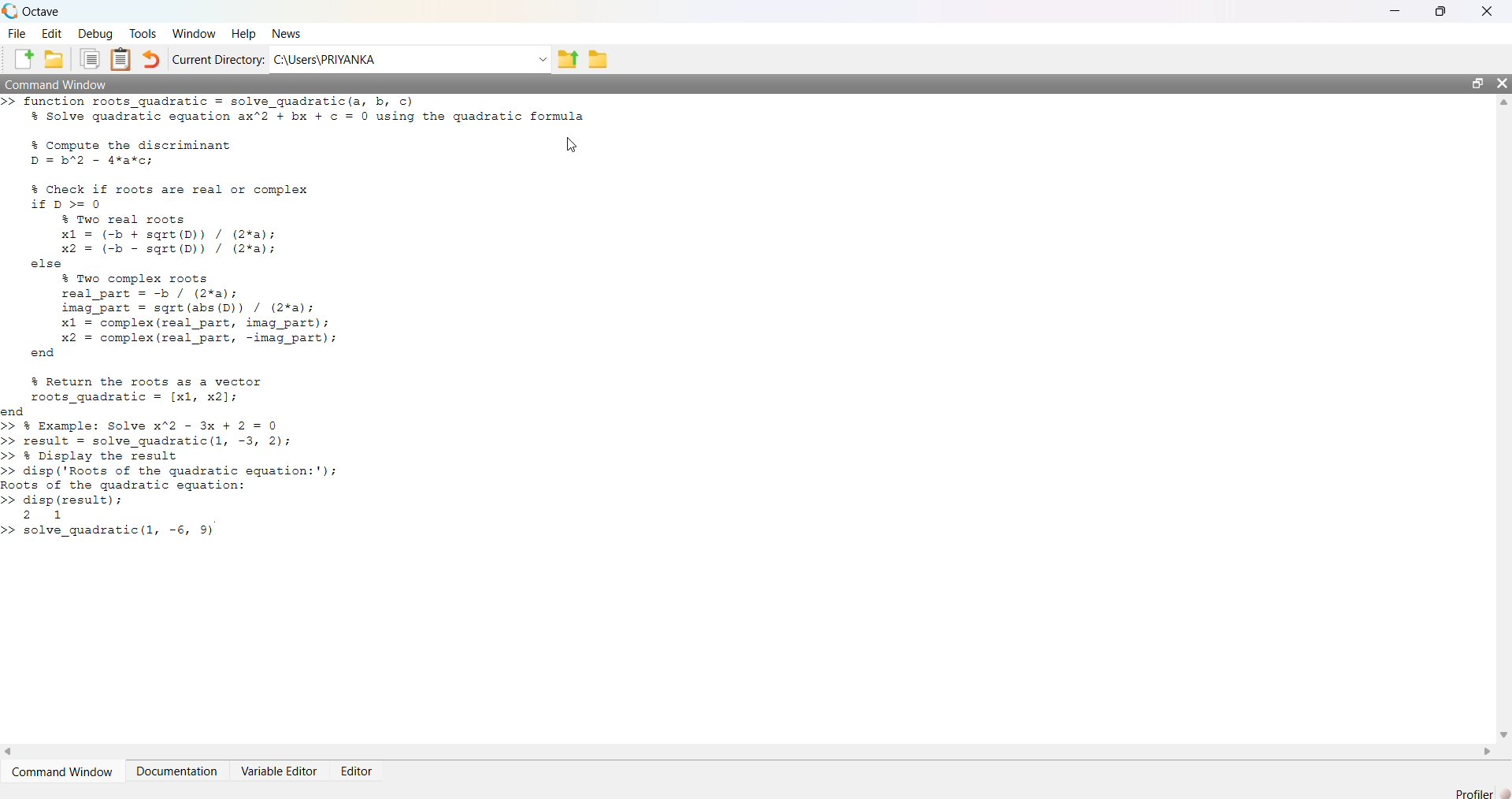 Image resolution: width=1512 pixels, height=799 pixels. Describe the element at coordinates (1502, 86) in the screenshot. I see `Close` at that location.